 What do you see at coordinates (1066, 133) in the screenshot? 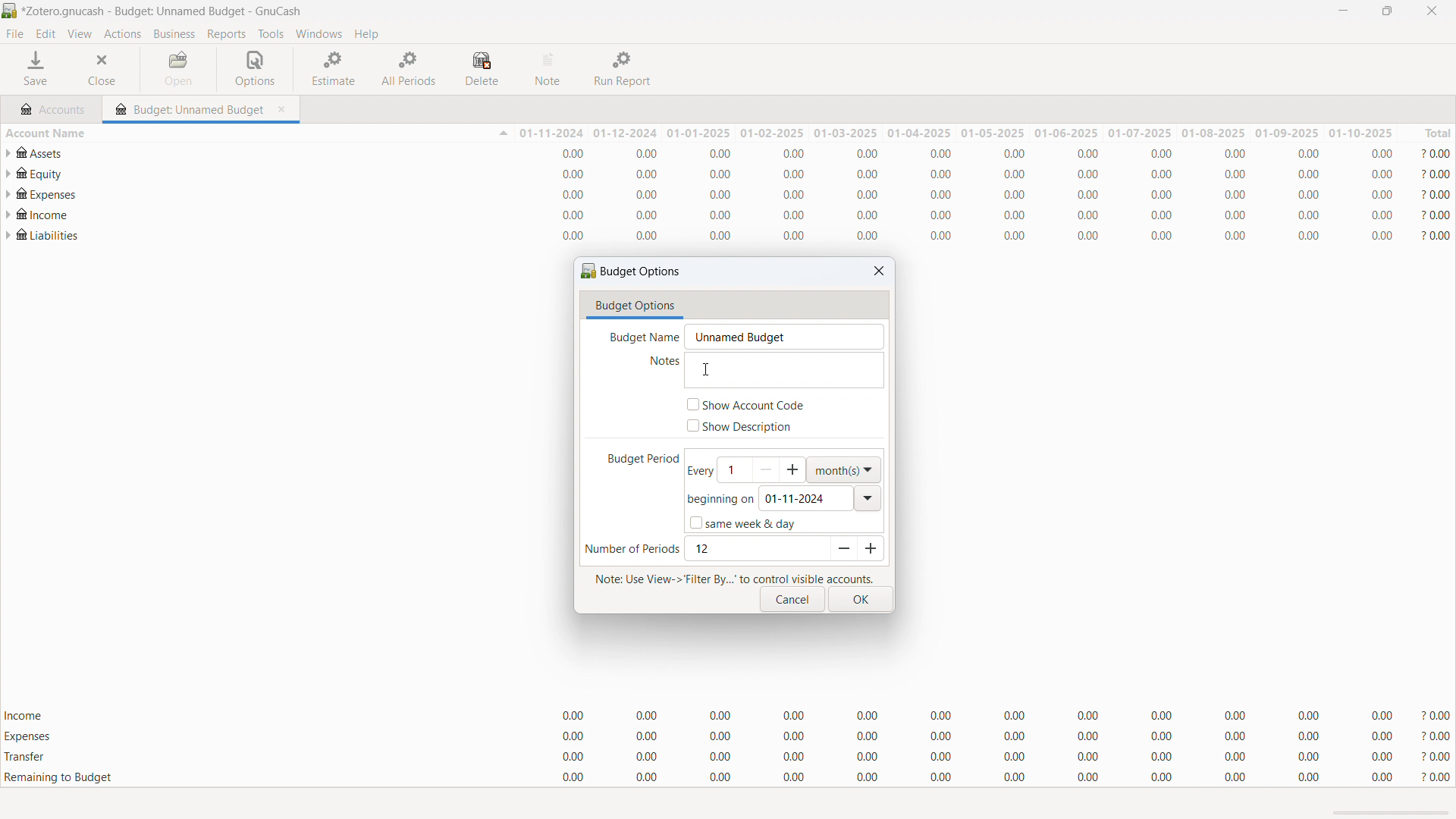
I see `01-06-2025` at bounding box center [1066, 133].